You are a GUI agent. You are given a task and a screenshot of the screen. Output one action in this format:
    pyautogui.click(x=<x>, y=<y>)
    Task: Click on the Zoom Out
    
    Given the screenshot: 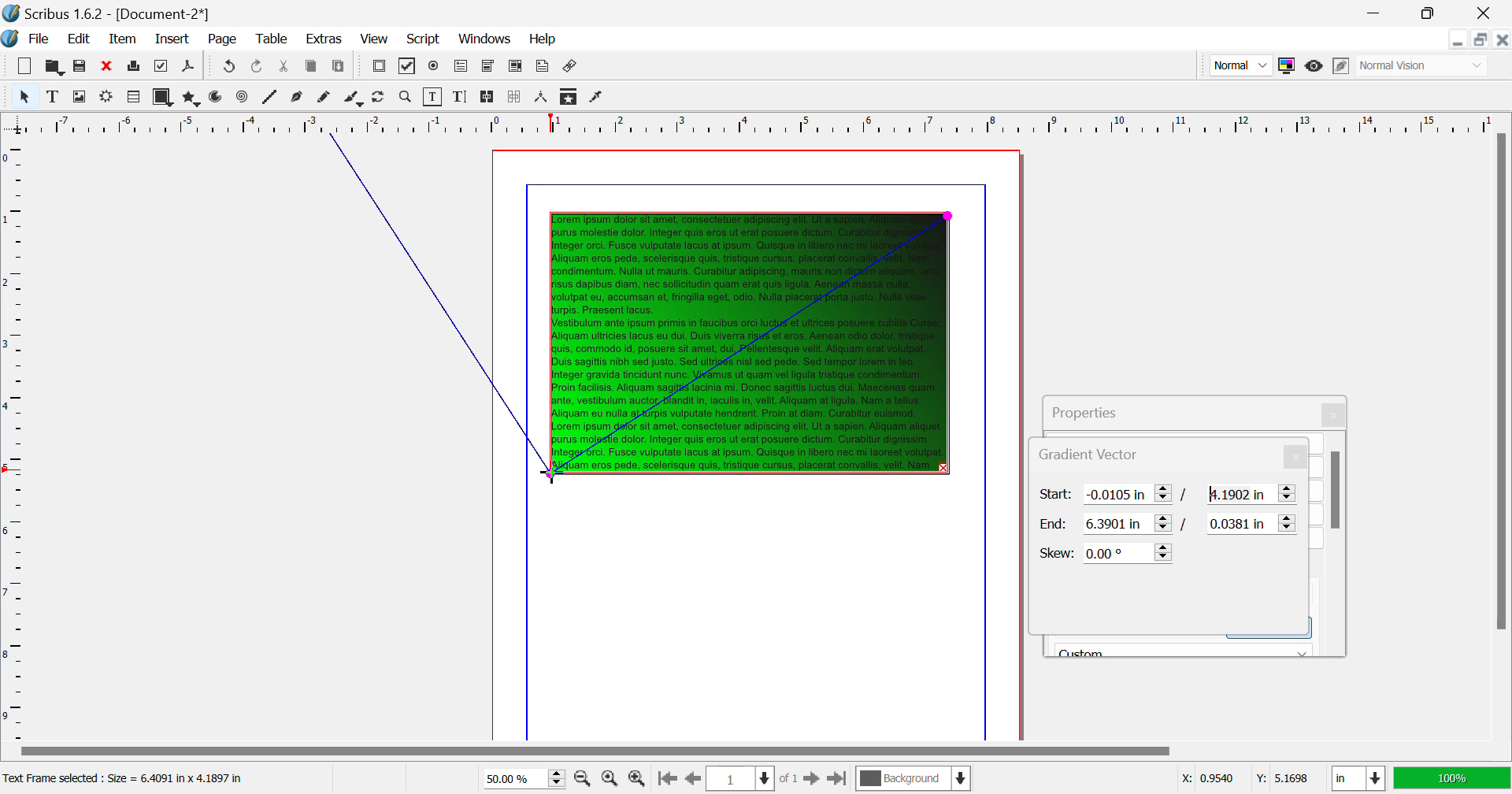 What is the action you would take?
    pyautogui.click(x=584, y=777)
    